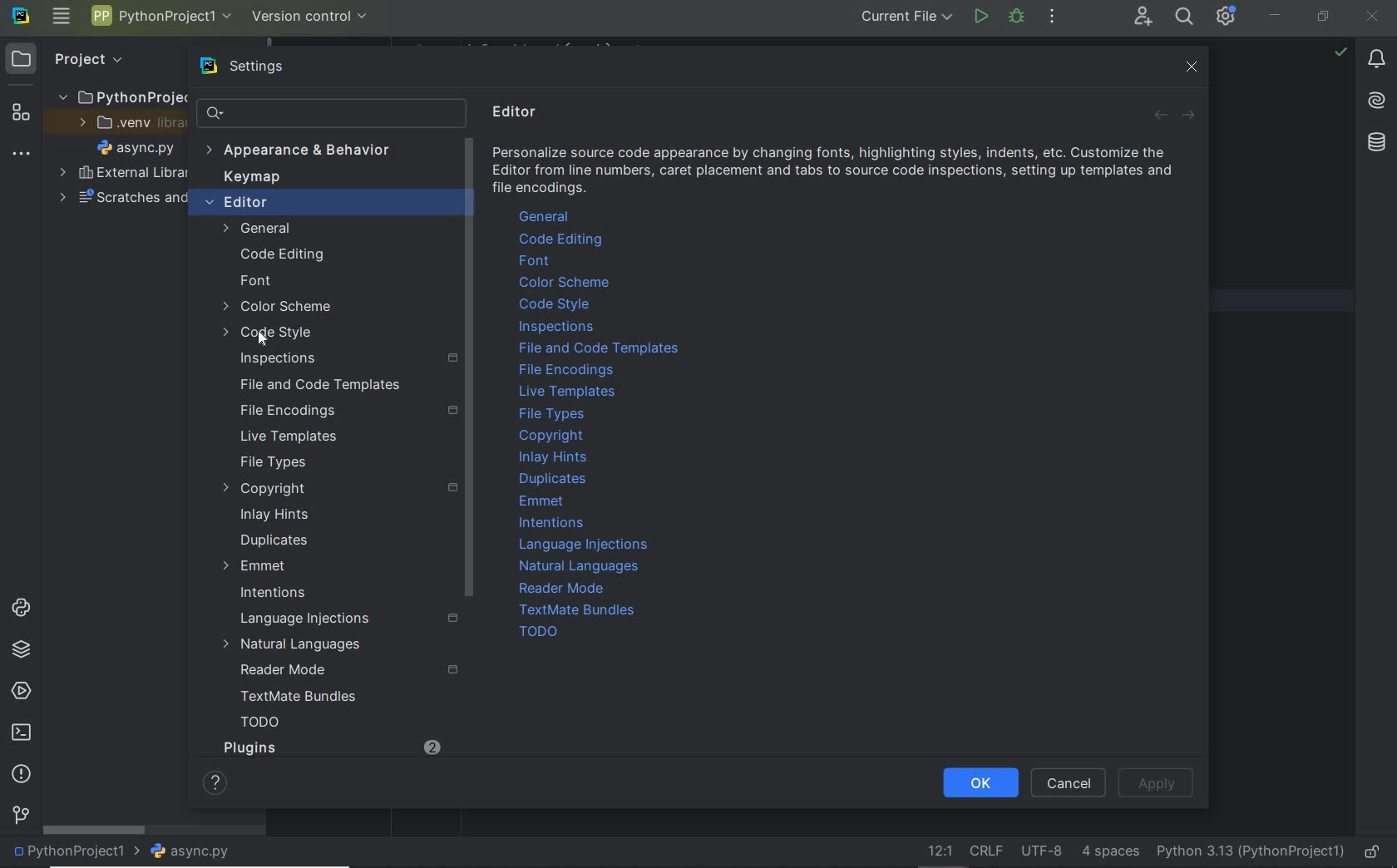 The image size is (1397, 868). I want to click on make file ready only, so click(1375, 852).